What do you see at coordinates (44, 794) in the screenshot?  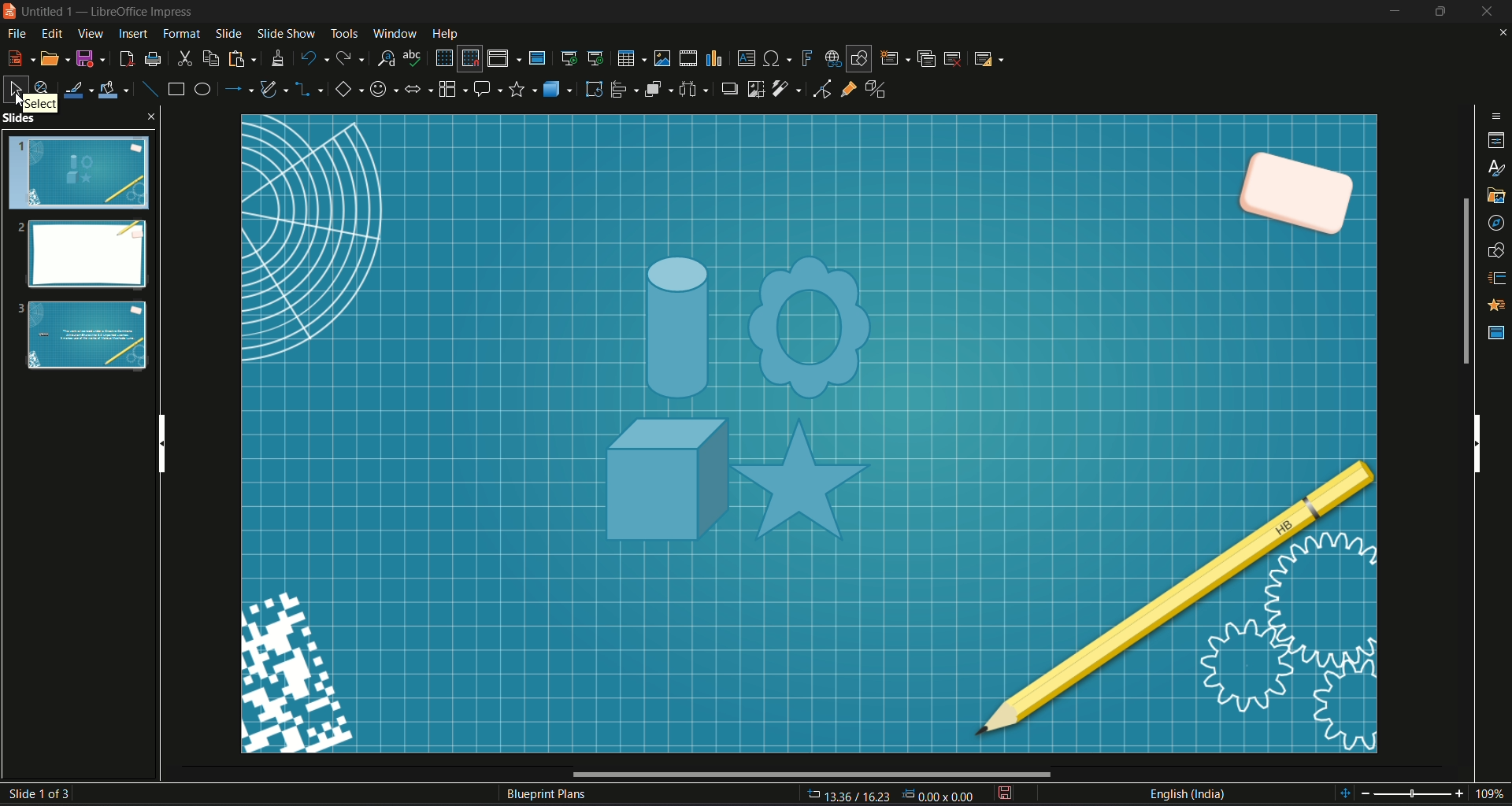 I see `Slide number` at bounding box center [44, 794].